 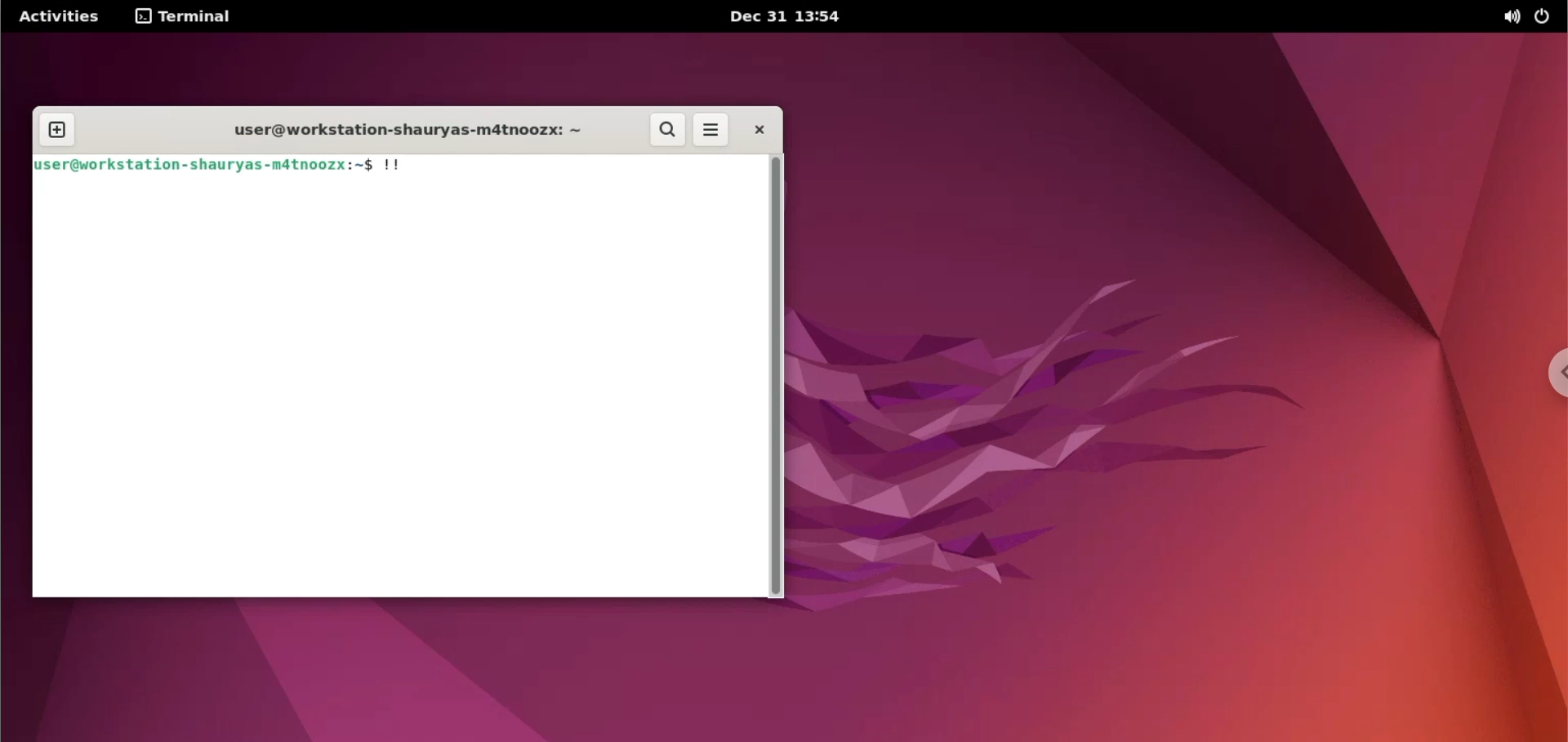 What do you see at coordinates (669, 130) in the screenshot?
I see `search` at bounding box center [669, 130].